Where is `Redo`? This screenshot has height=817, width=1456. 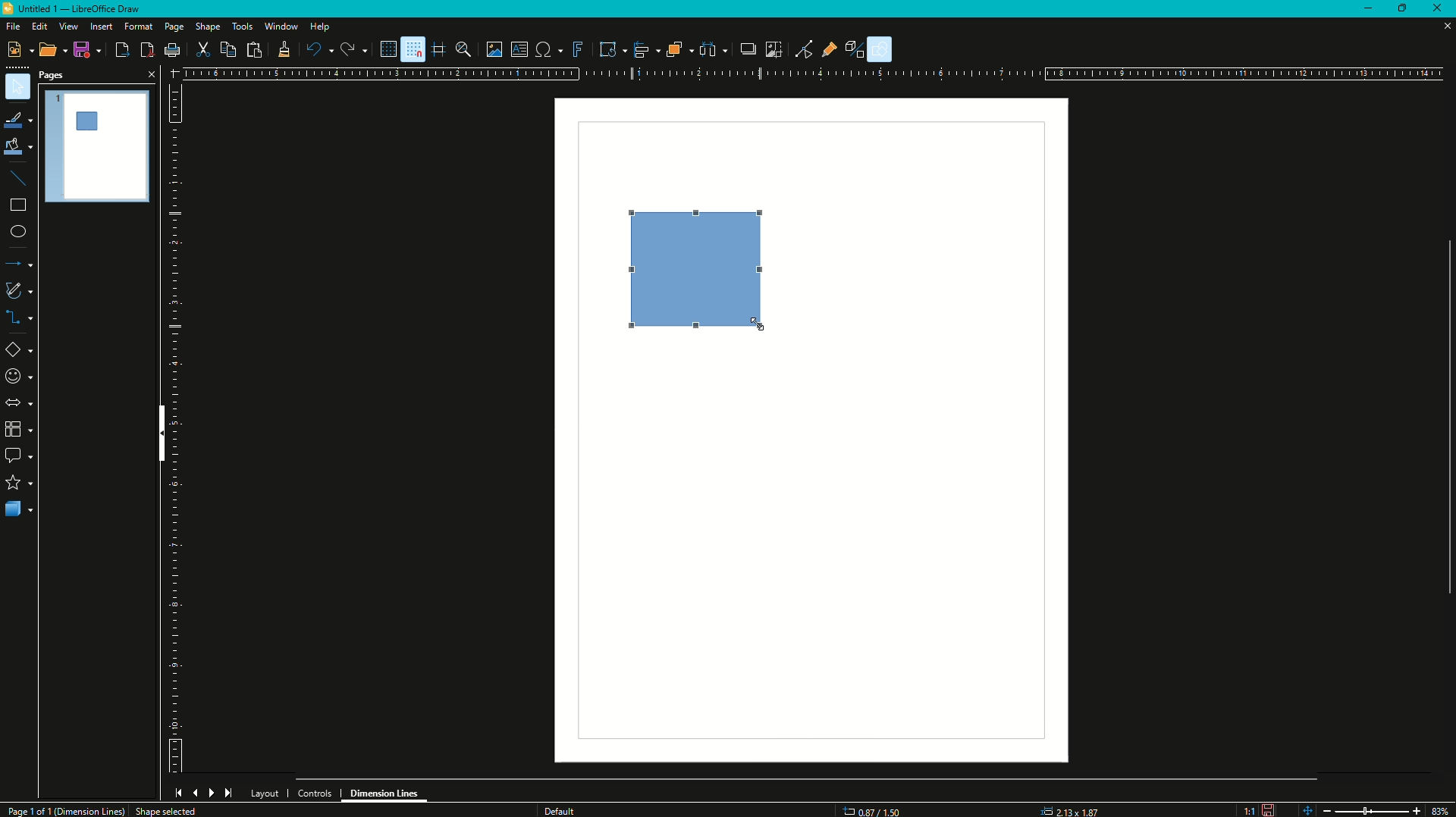
Redo is located at coordinates (353, 50).